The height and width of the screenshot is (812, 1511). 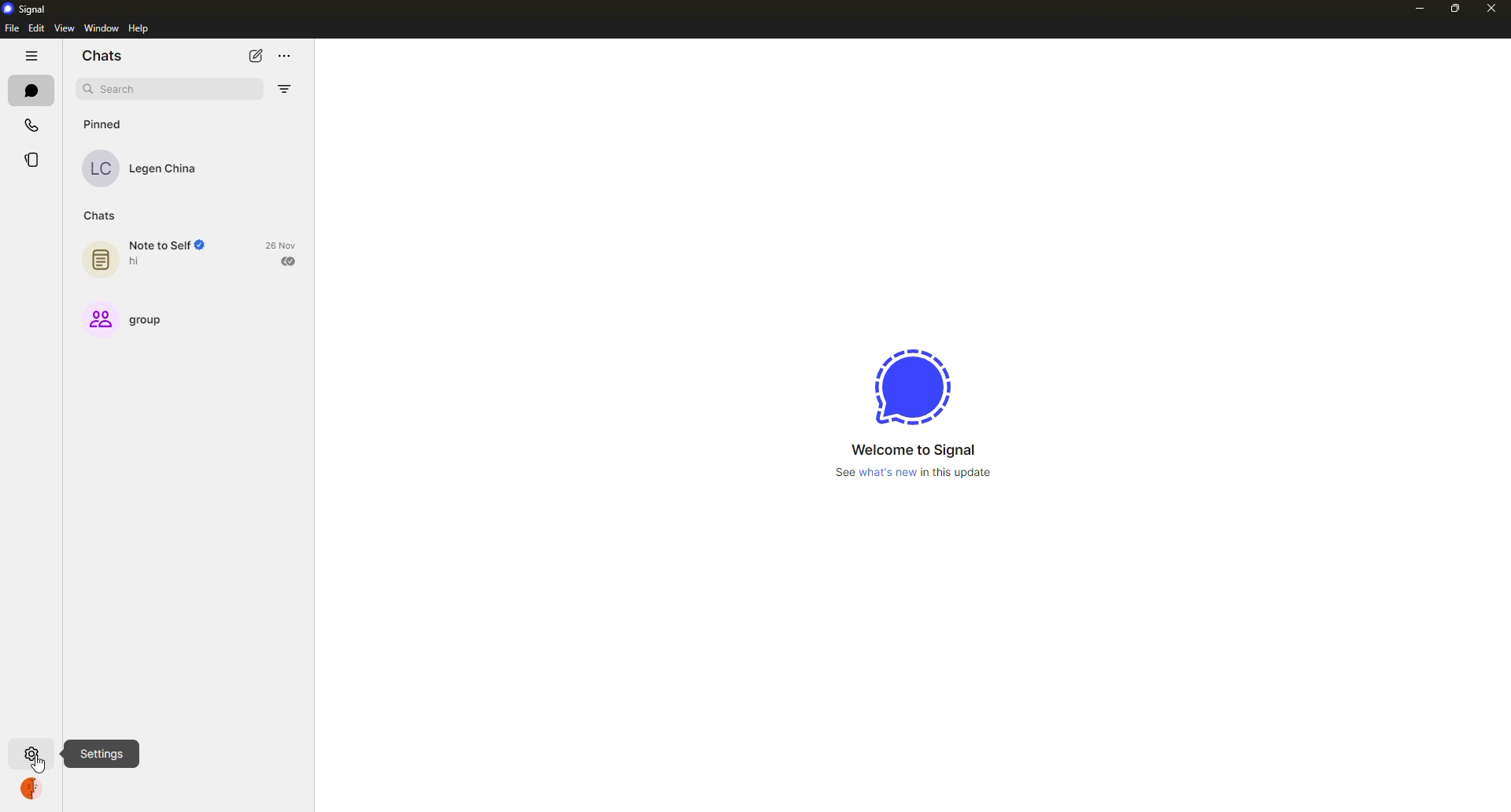 I want to click on filter, so click(x=284, y=89).